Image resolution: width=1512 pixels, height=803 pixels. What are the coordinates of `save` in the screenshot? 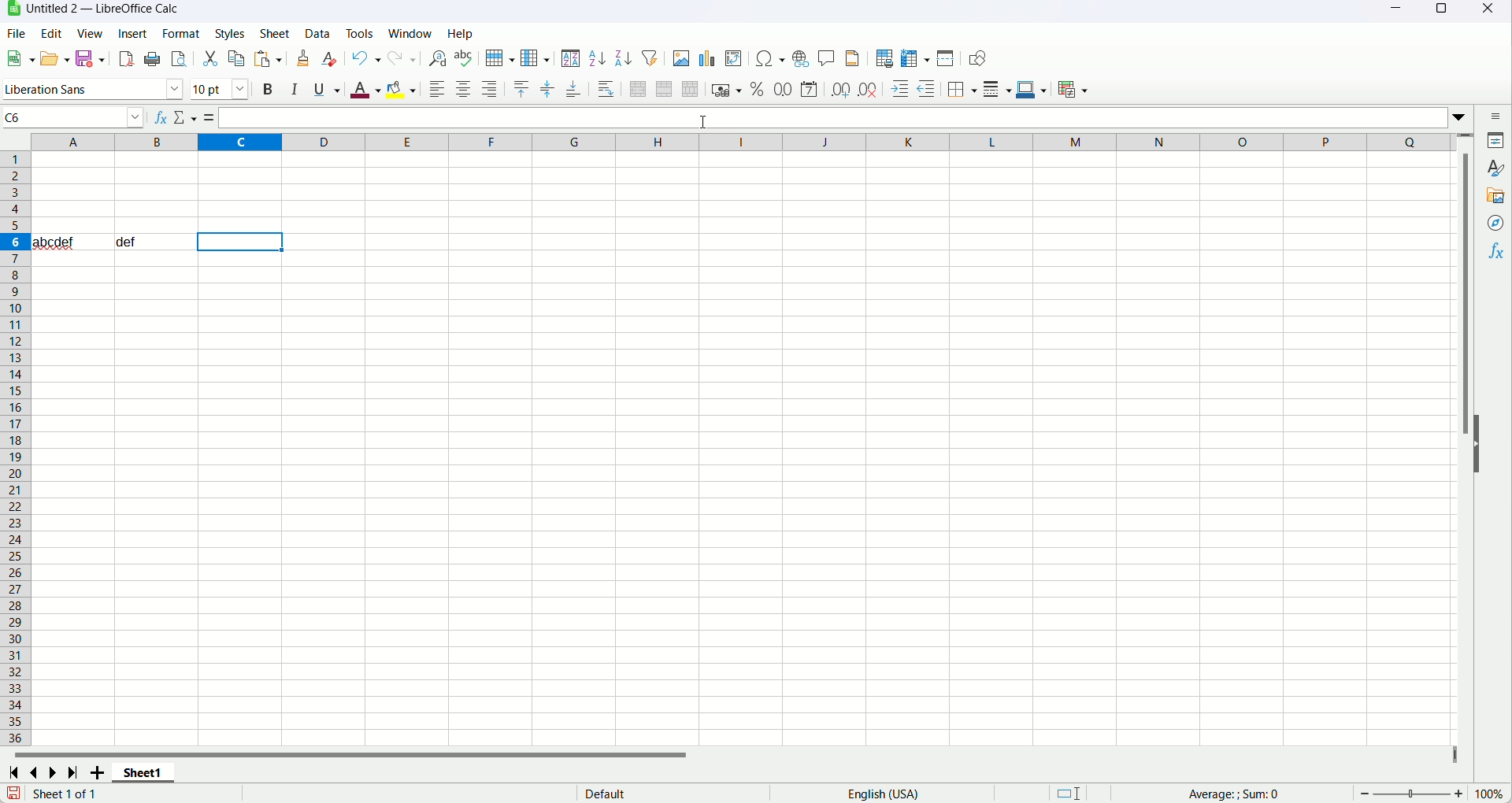 It's located at (89, 58).